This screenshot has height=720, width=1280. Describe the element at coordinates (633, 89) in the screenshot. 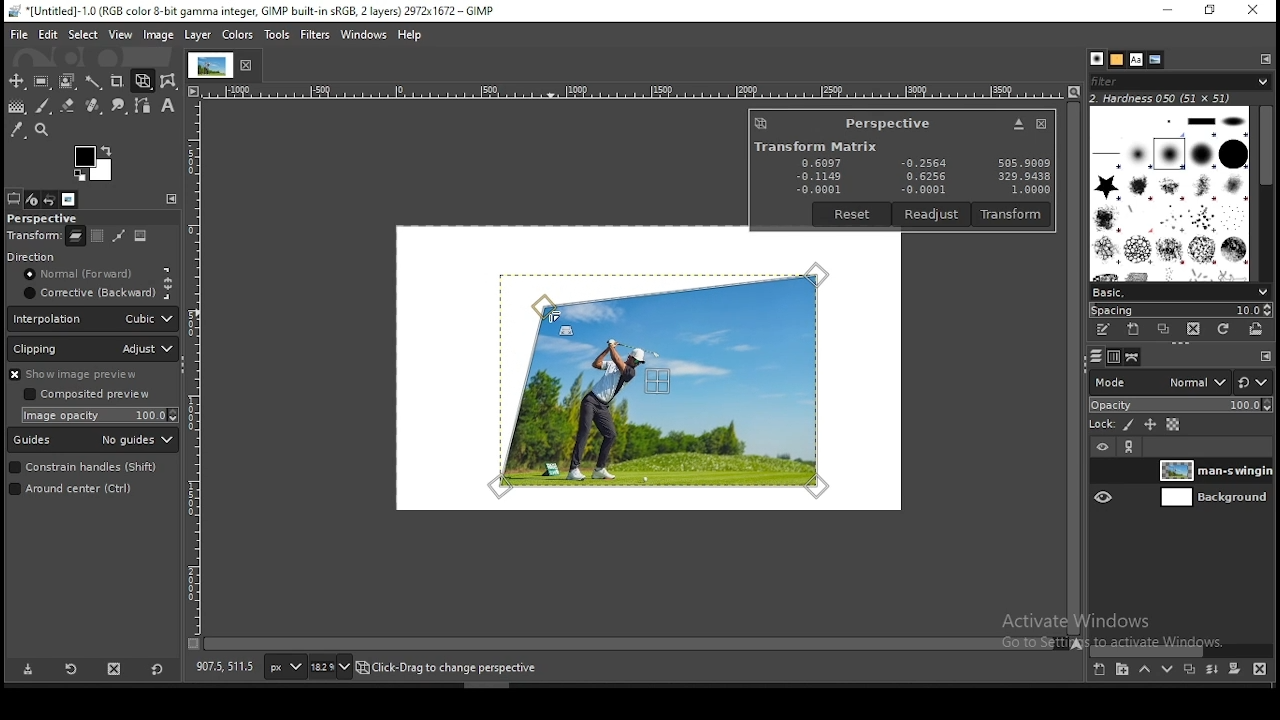

I see `horizontal scale ` at that location.